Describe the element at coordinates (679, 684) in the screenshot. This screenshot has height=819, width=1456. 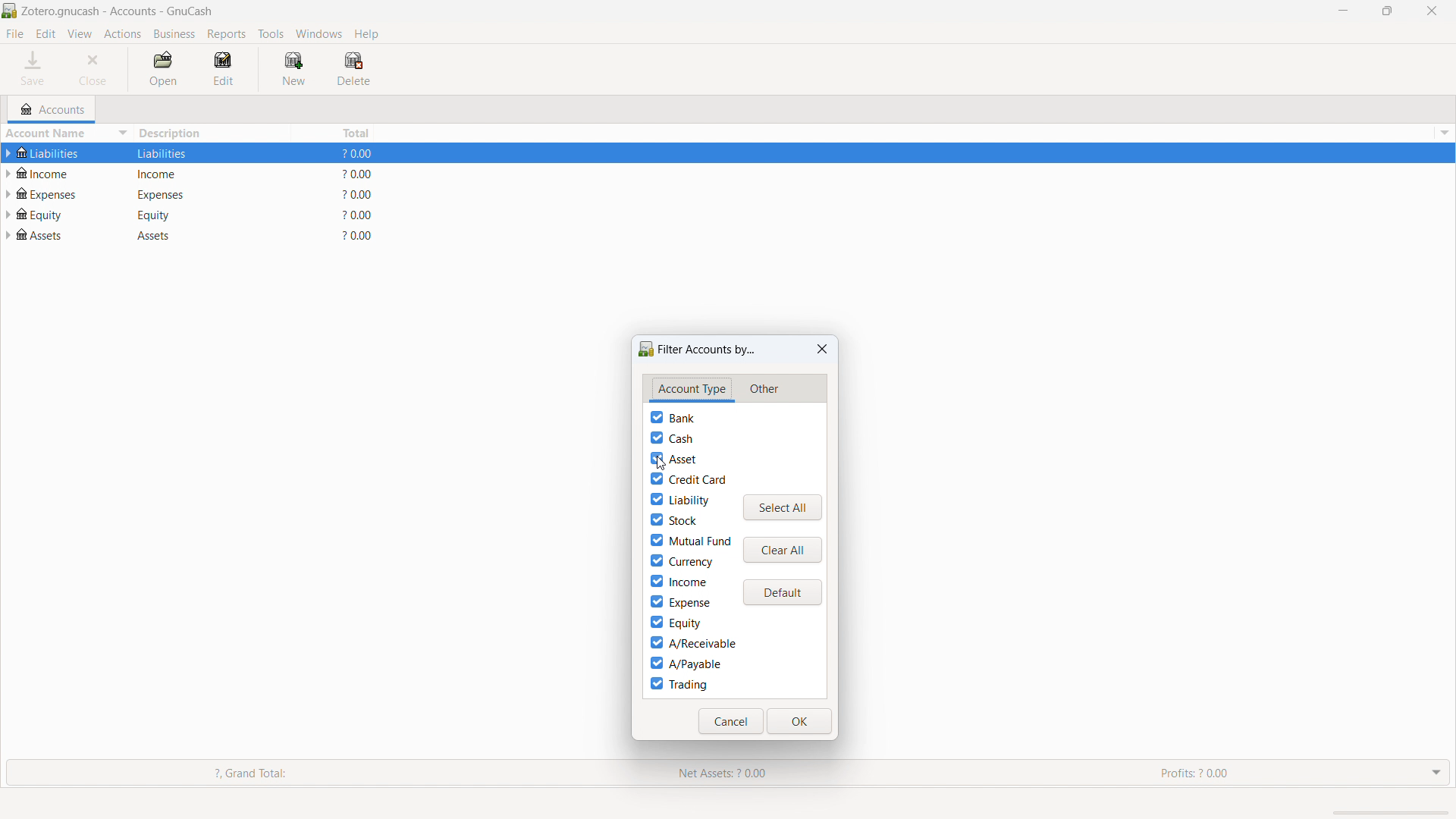
I see `trading` at that location.